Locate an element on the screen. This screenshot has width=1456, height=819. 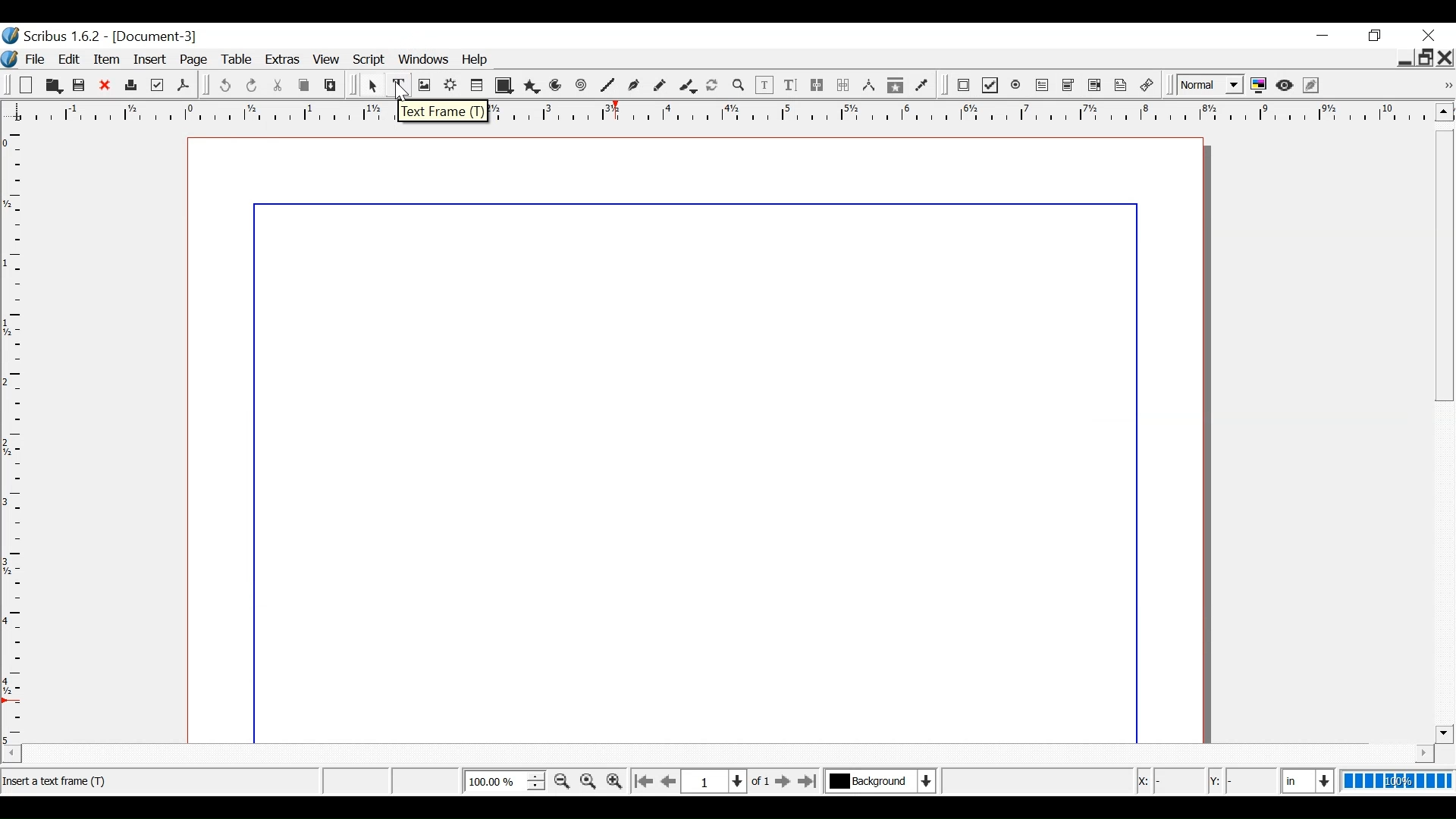
PDF Checkbox is located at coordinates (990, 86).